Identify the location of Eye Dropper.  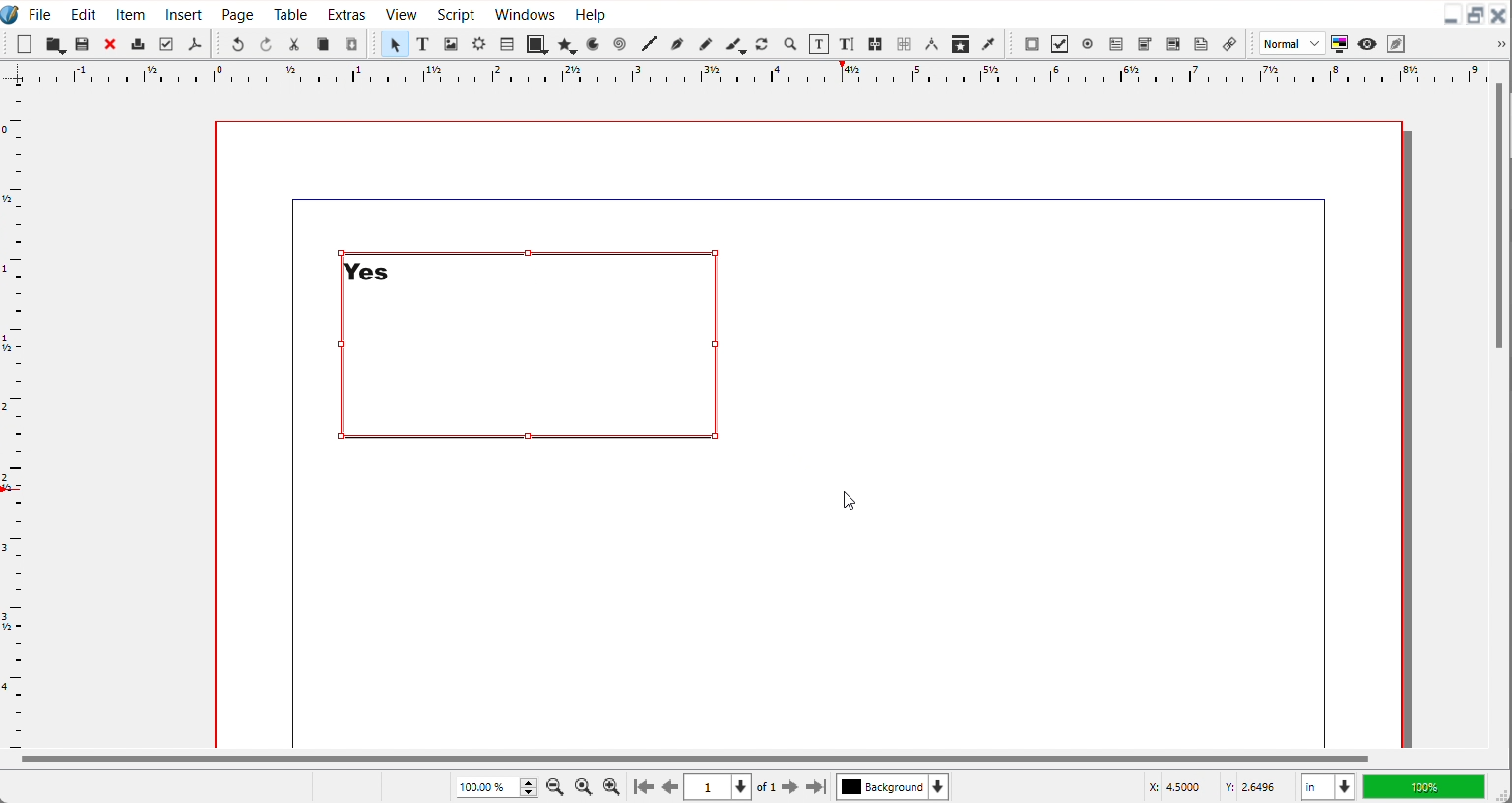
(990, 43).